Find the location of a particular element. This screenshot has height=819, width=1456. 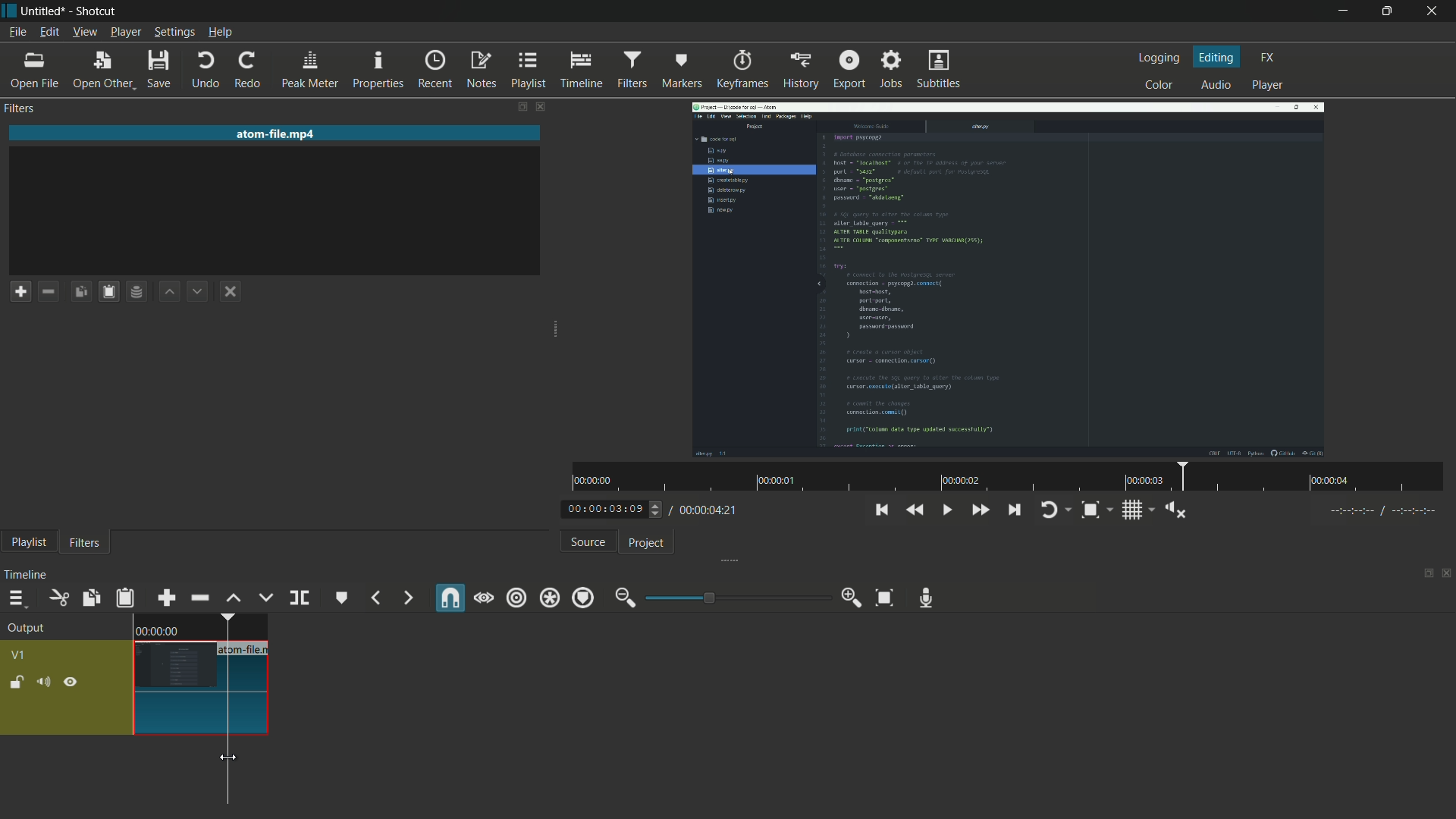

filters is located at coordinates (631, 71).